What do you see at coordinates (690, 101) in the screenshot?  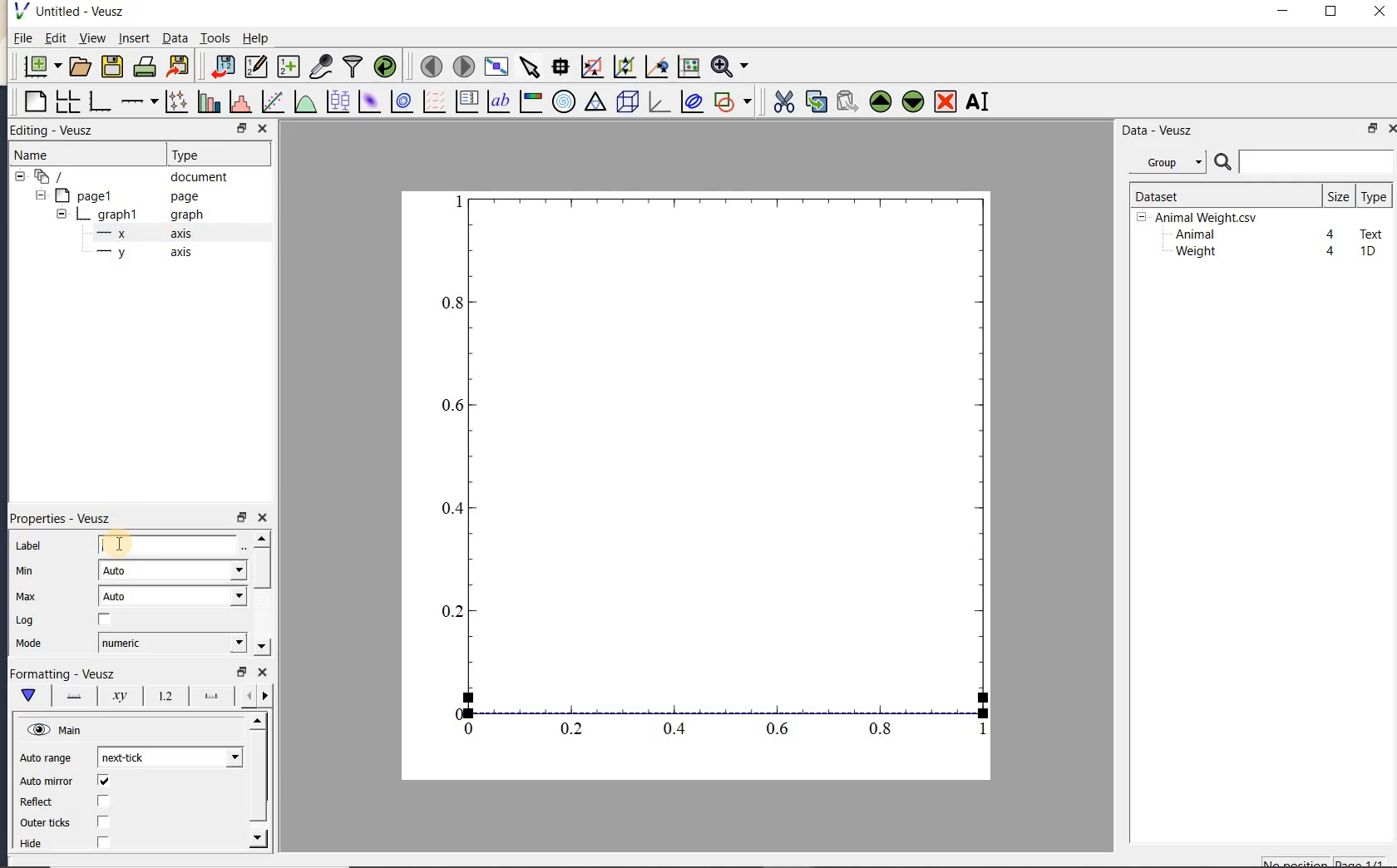 I see `plot covariance ellipses` at bounding box center [690, 101].